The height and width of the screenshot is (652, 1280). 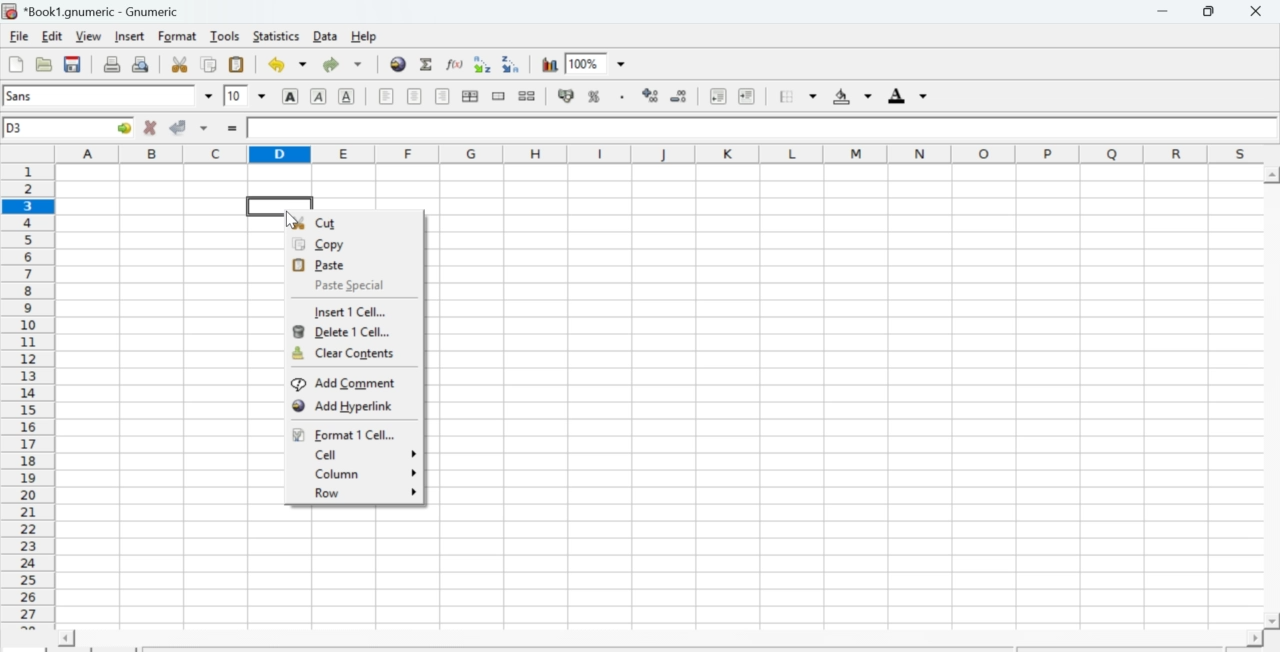 I want to click on Include thousands separator, so click(x=622, y=98).